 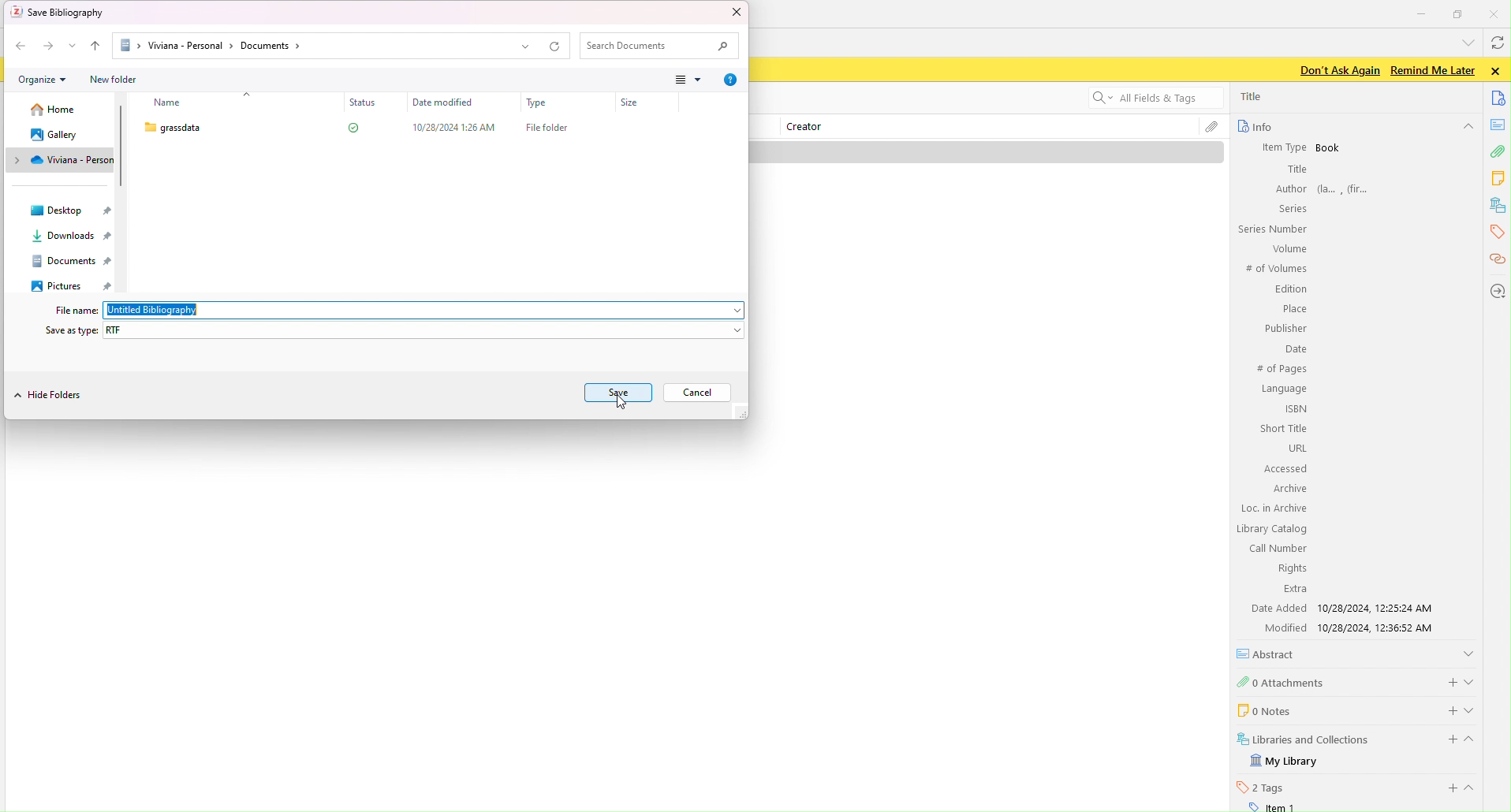 What do you see at coordinates (394, 330) in the screenshot?
I see `Save as type` at bounding box center [394, 330].